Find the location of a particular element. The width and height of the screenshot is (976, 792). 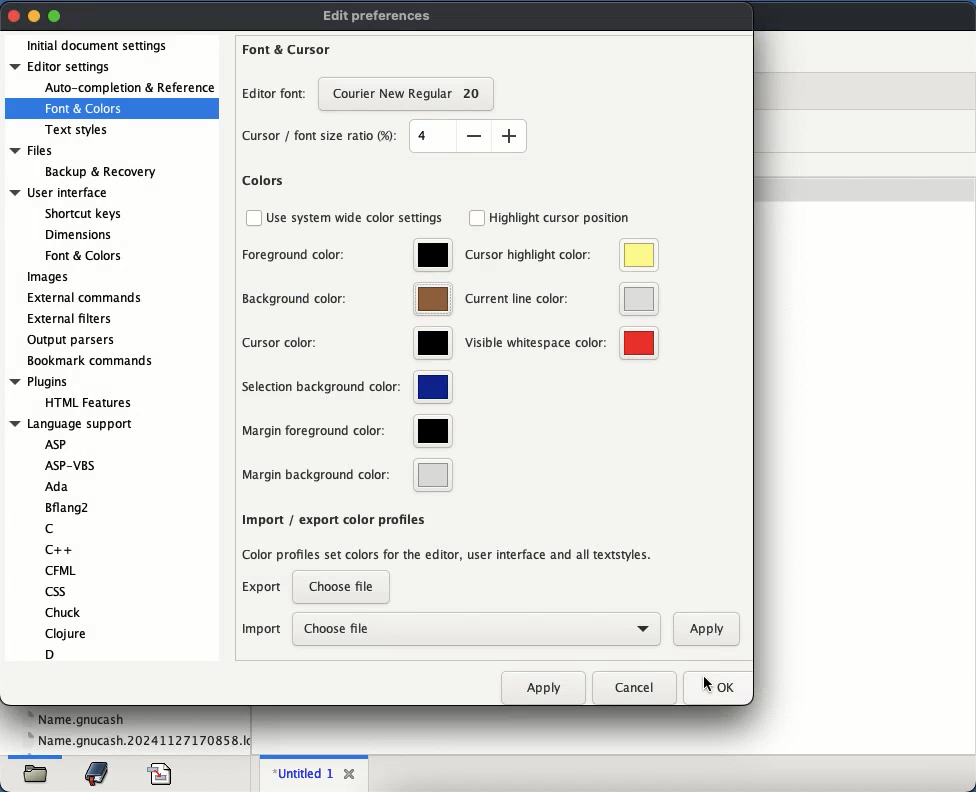

selection background color is located at coordinates (349, 387).